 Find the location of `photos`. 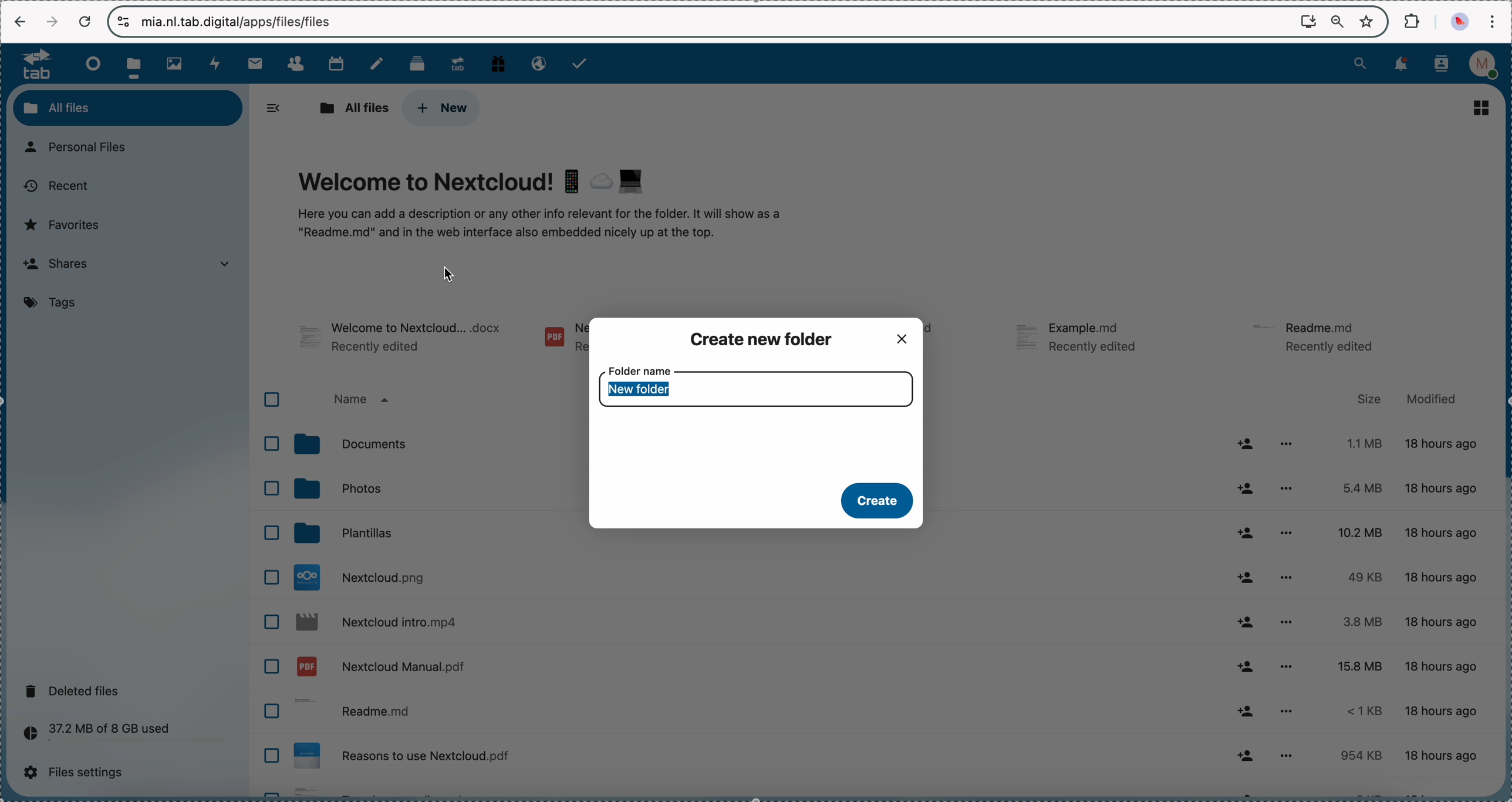

photos is located at coordinates (178, 64).